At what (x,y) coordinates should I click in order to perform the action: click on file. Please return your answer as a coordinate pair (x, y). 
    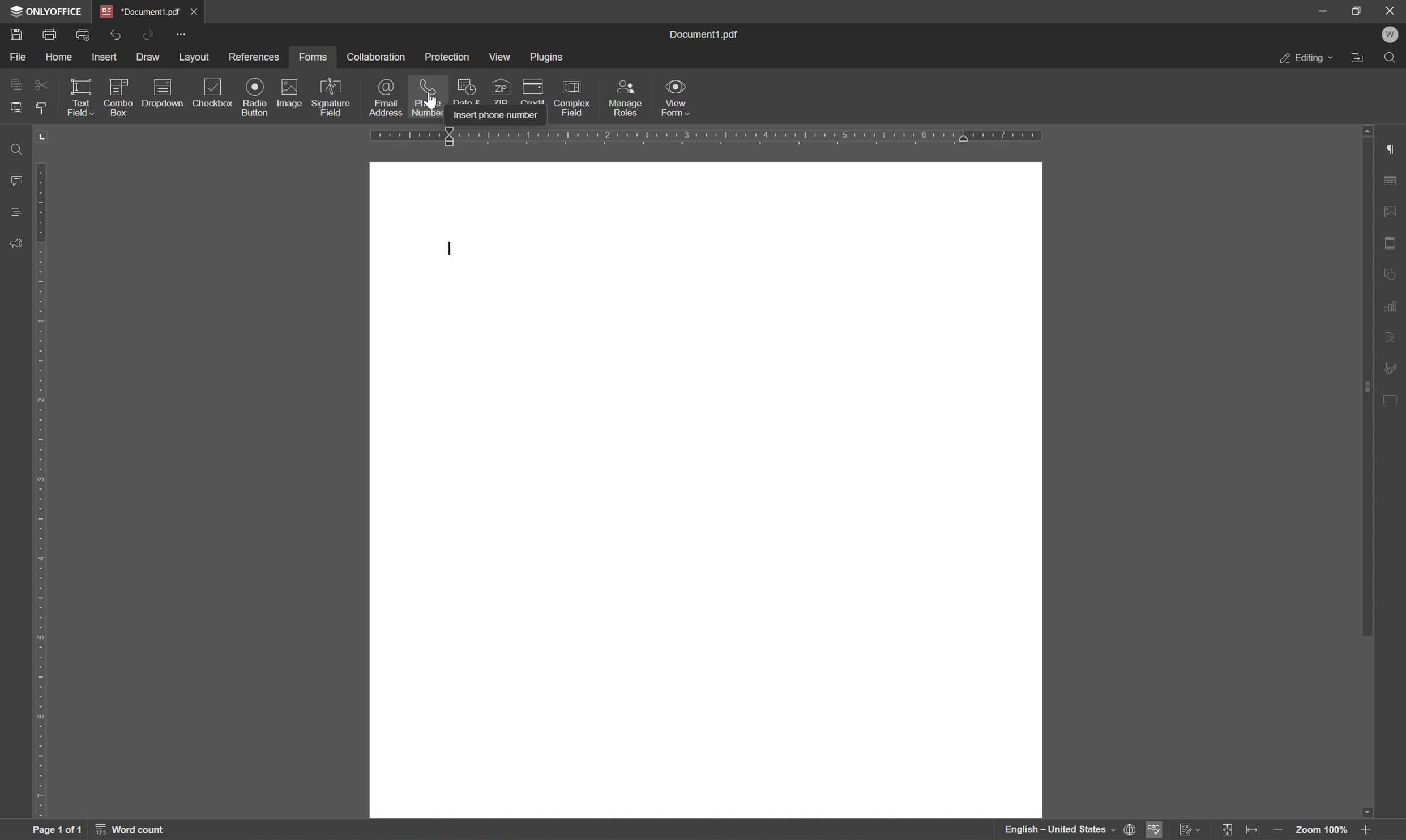
    Looking at the image, I should click on (20, 58).